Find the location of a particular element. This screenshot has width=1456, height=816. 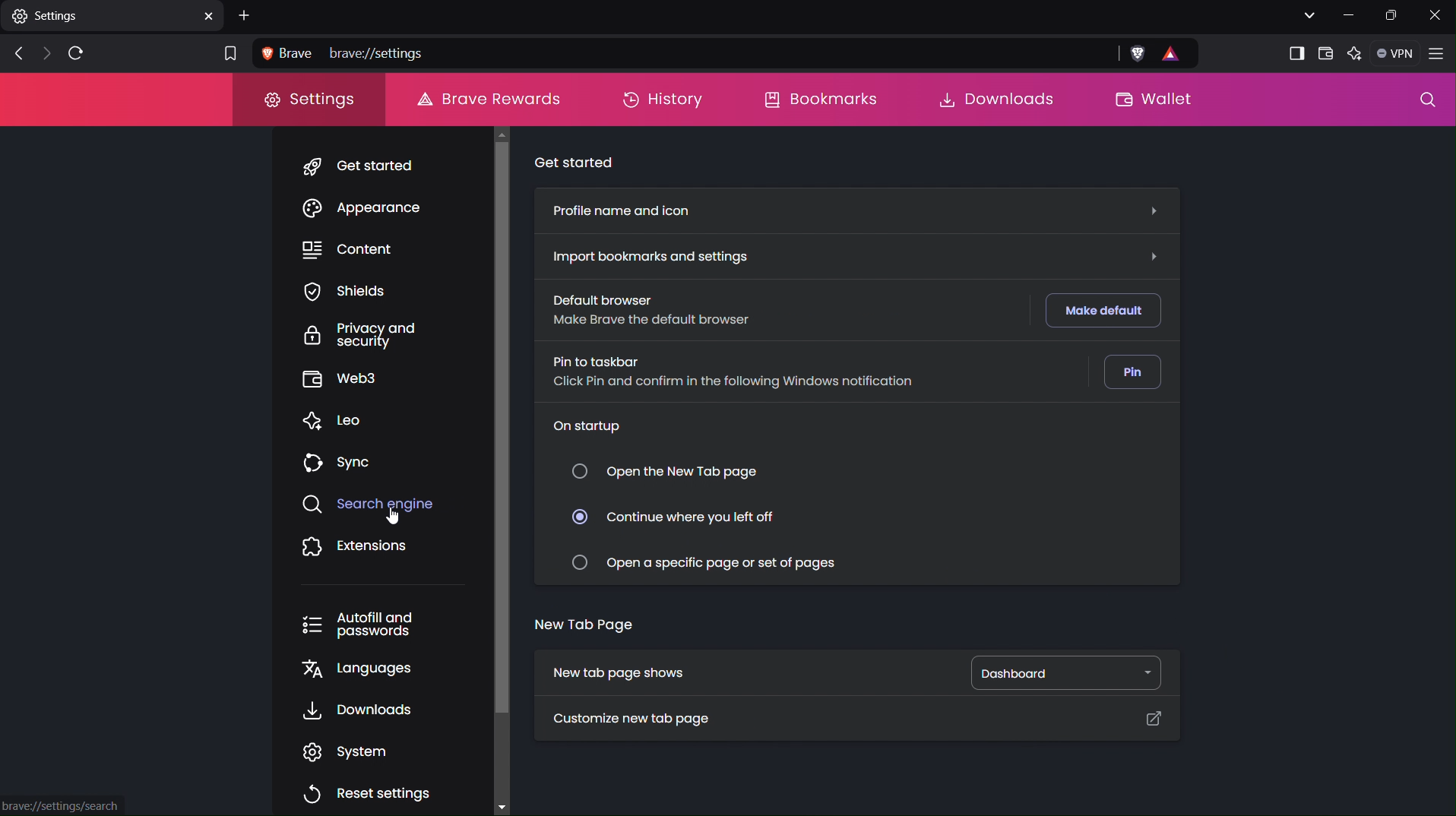

Continue where you left off is located at coordinates (681, 518).